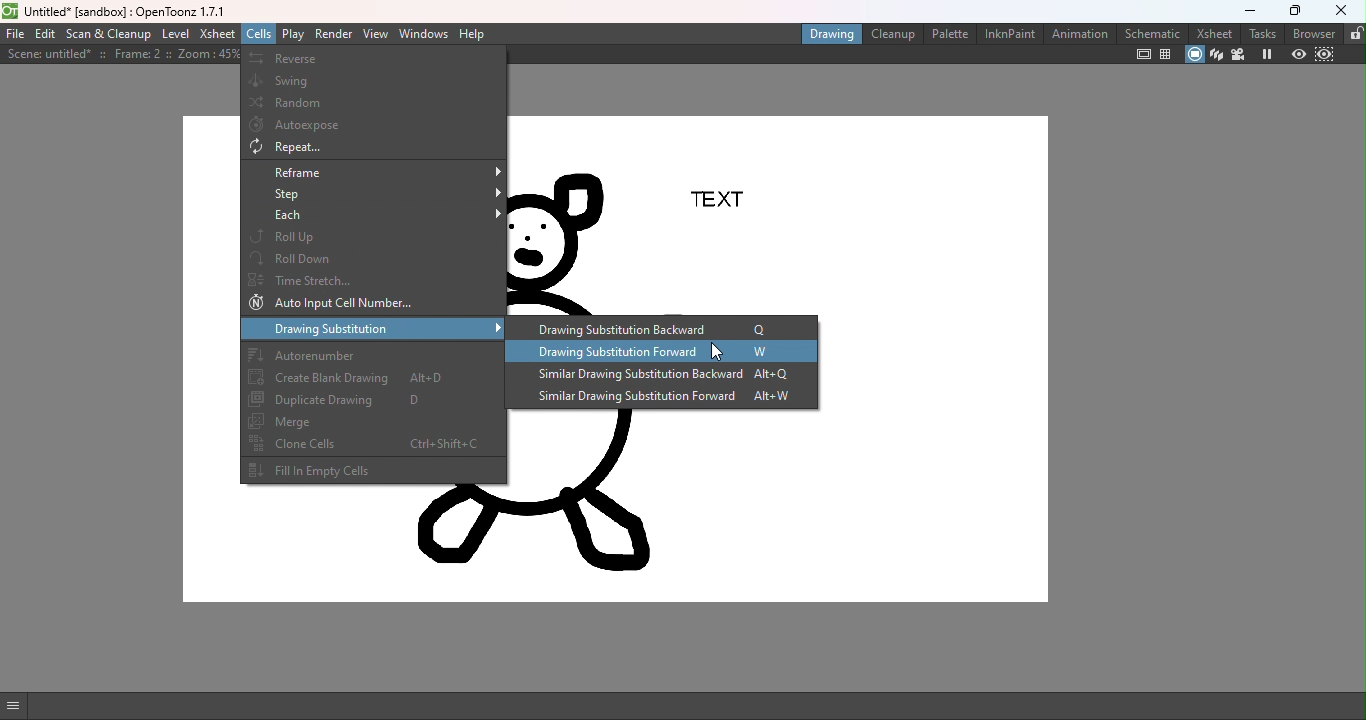 The height and width of the screenshot is (720, 1366). I want to click on Edit, so click(45, 35).